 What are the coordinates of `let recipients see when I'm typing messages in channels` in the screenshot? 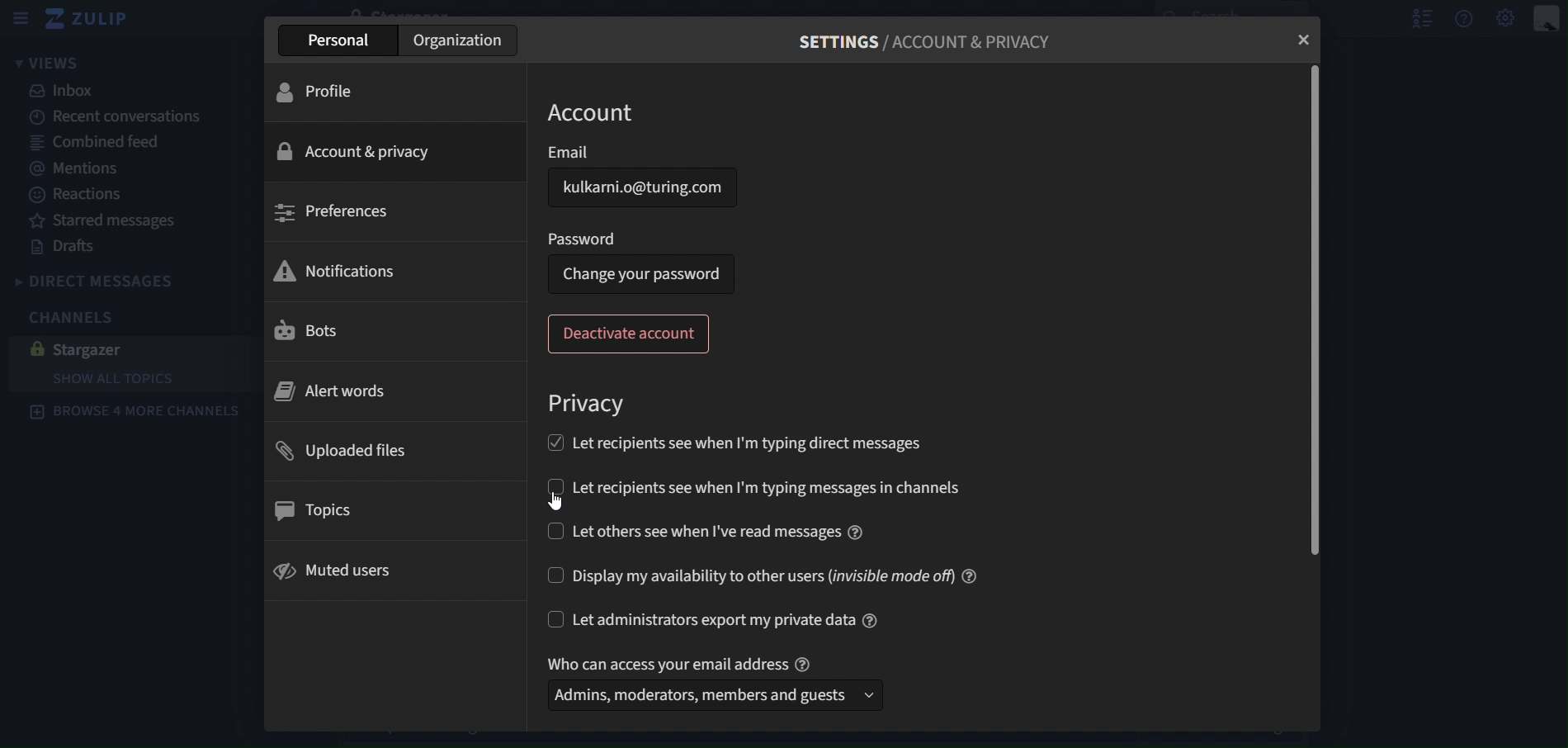 It's located at (757, 488).